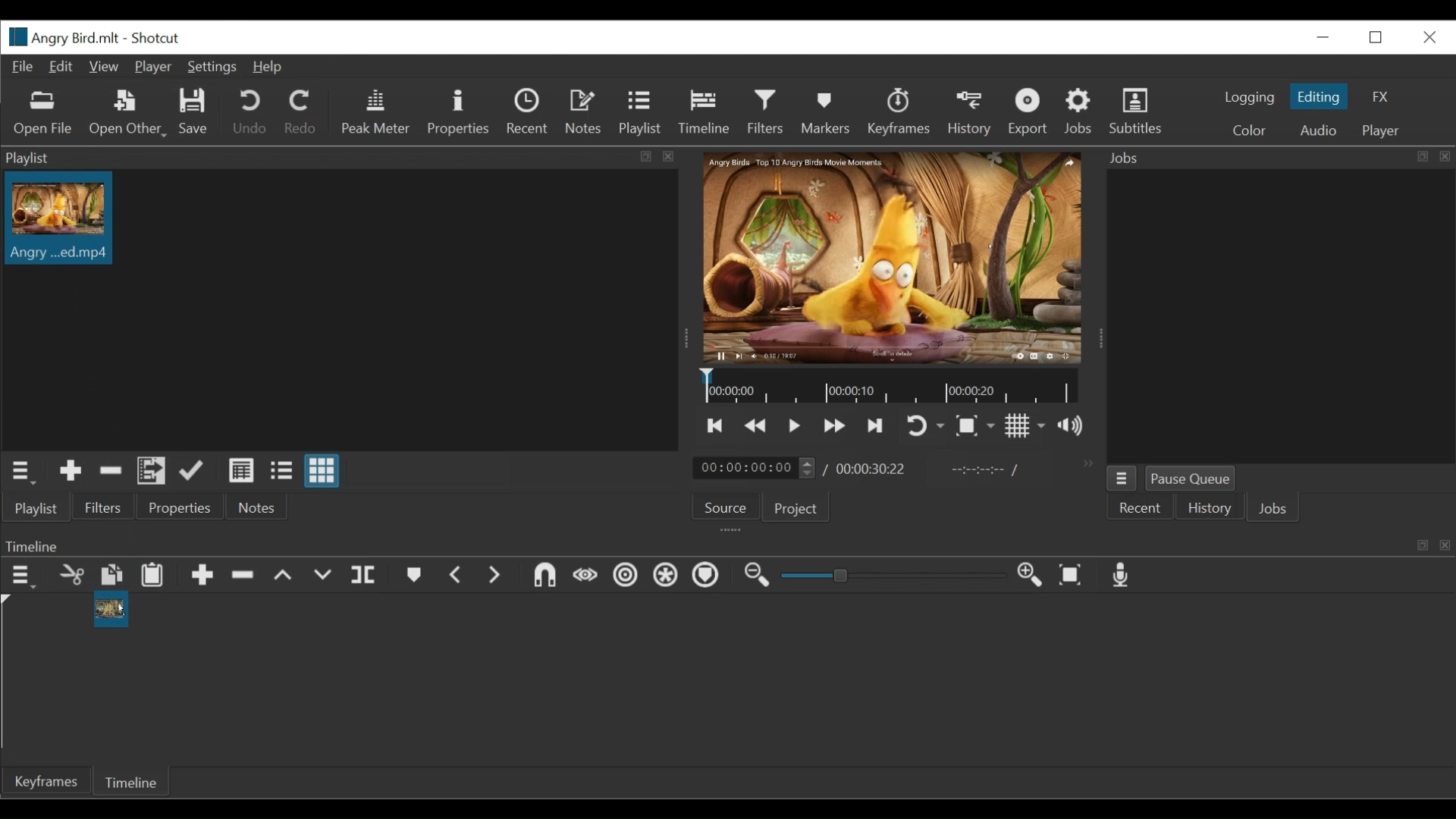 The image size is (1456, 819). What do you see at coordinates (877, 425) in the screenshot?
I see `Skip to the next point` at bounding box center [877, 425].